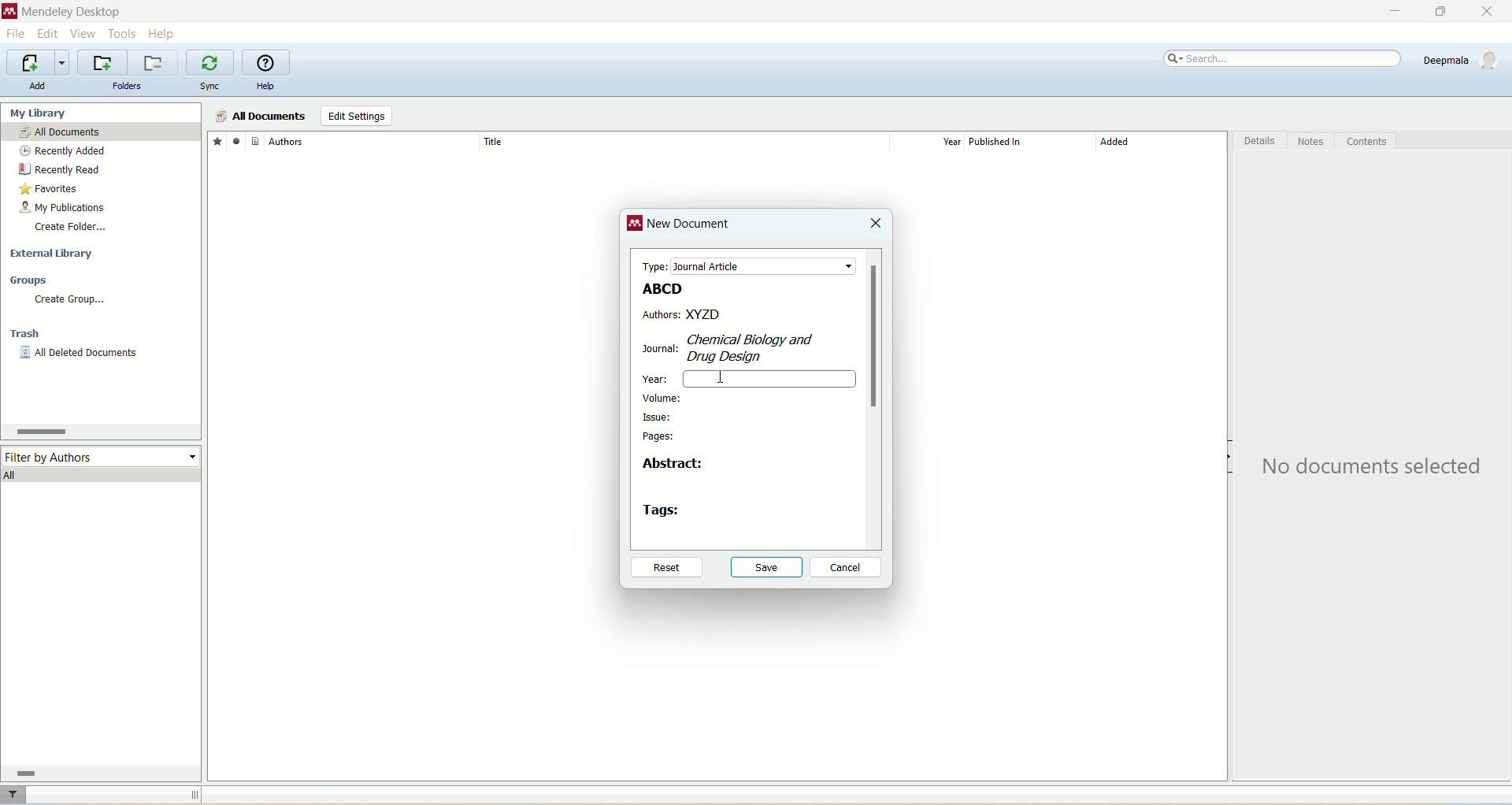  Describe the element at coordinates (1313, 142) in the screenshot. I see `notes` at that location.